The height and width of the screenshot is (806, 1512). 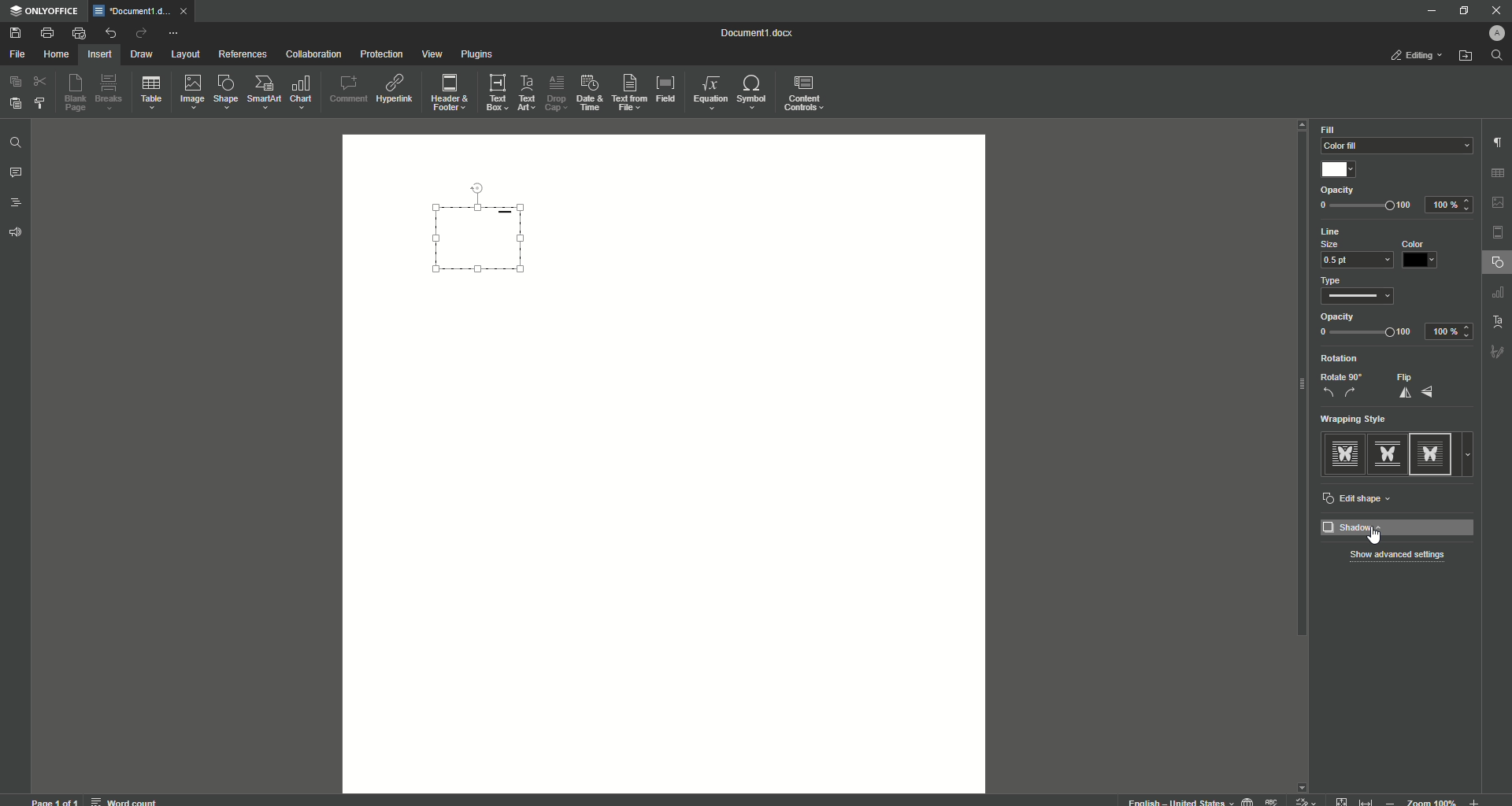 What do you see at coordinates (14, 102) in the screenshot?
I see `Paste` at bounding box center [14, 102].